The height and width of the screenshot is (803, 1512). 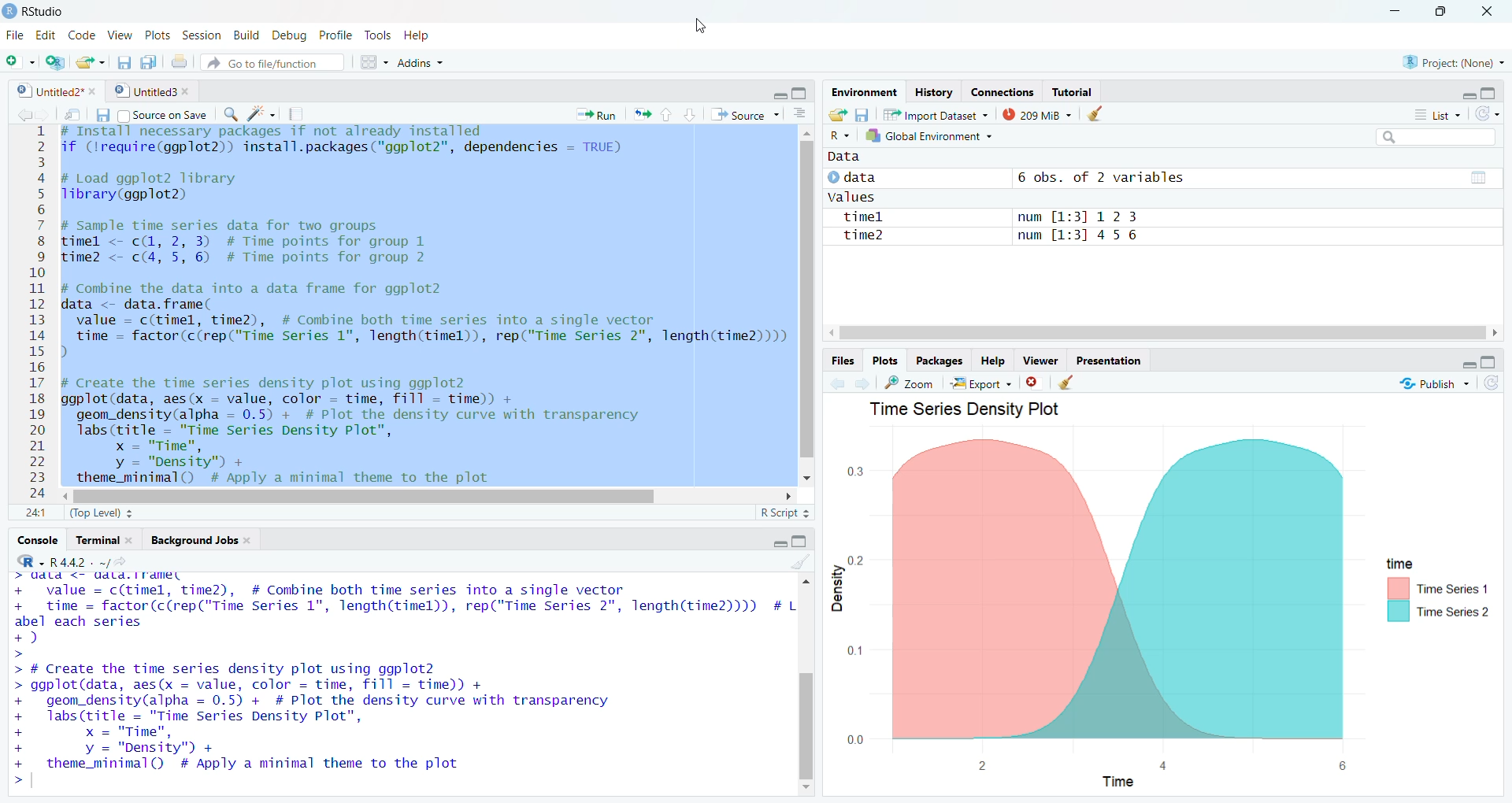 What do you see at coordinates (151, 90) in the screenshot?
I see `Untitled3` at bounding box center [151, 90].